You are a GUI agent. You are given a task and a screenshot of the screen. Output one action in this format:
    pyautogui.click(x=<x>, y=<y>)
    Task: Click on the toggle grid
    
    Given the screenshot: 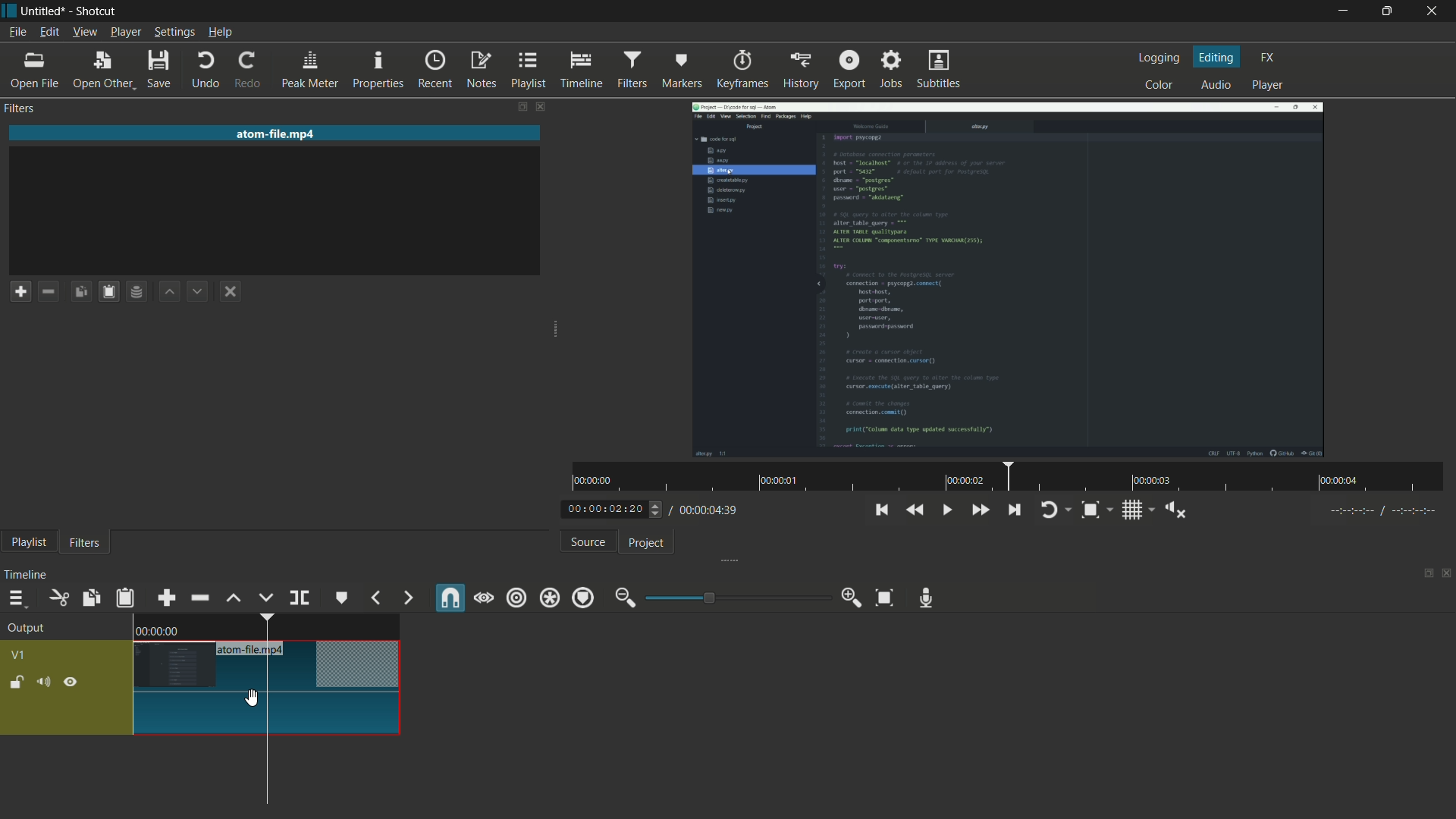 What is the action you would take?
    pyautogui.click(x=1131, y=510)
    